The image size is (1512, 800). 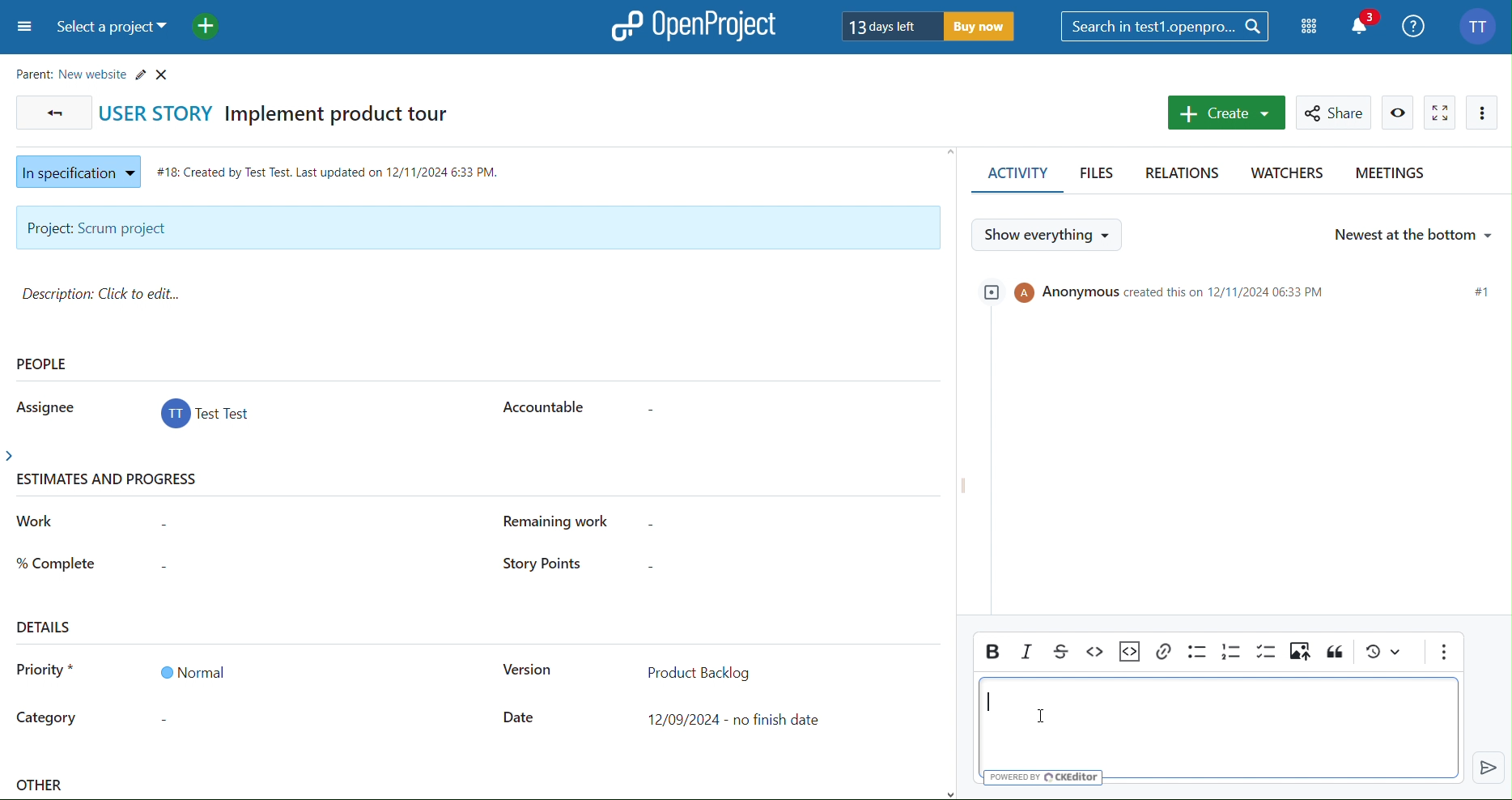 I want to click on Relations, so click(x=1186, y=174).